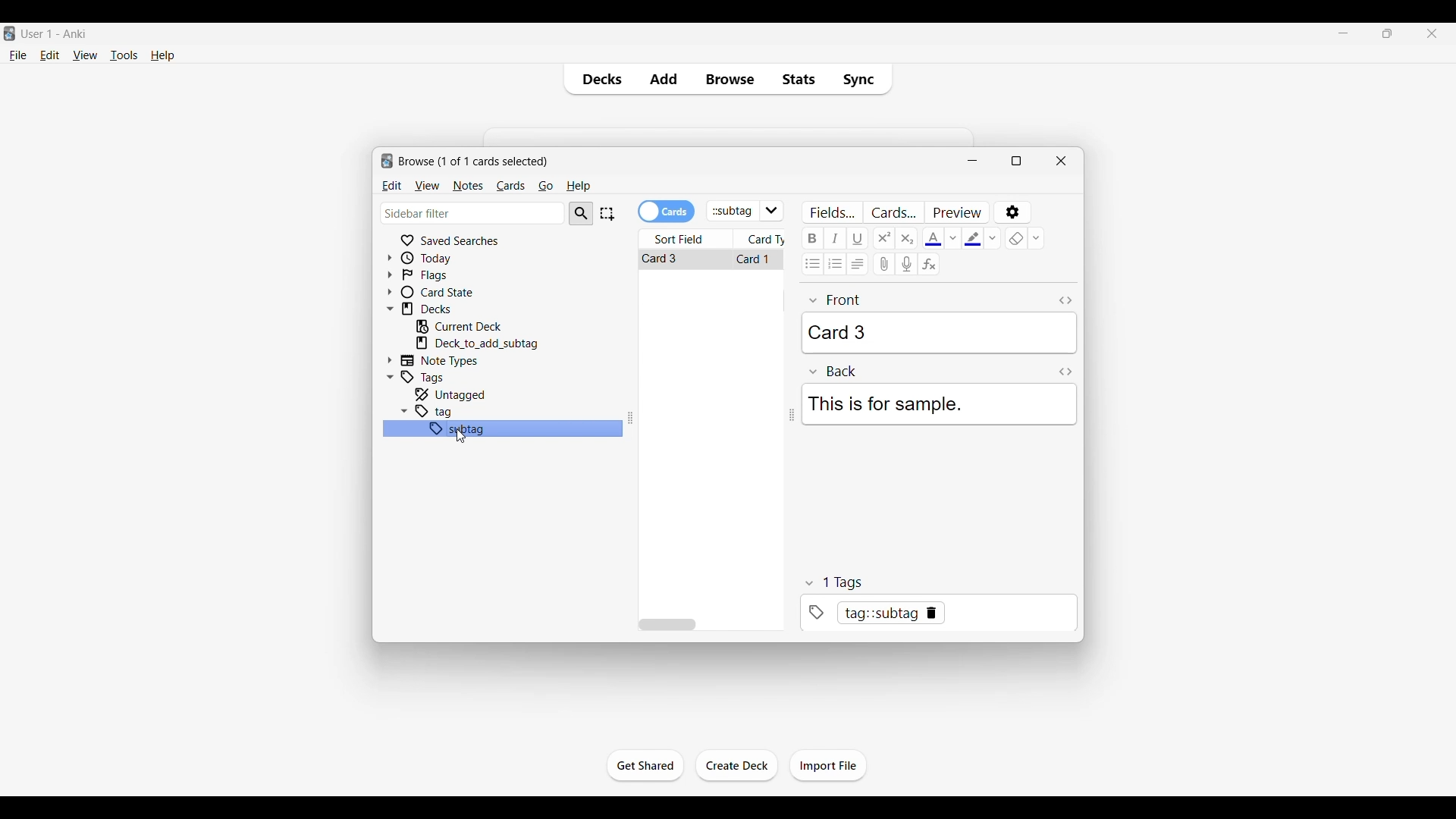  Describe the element at coordinates (389, 258) in the screenshot. I see `Click to expand Today` at that location.